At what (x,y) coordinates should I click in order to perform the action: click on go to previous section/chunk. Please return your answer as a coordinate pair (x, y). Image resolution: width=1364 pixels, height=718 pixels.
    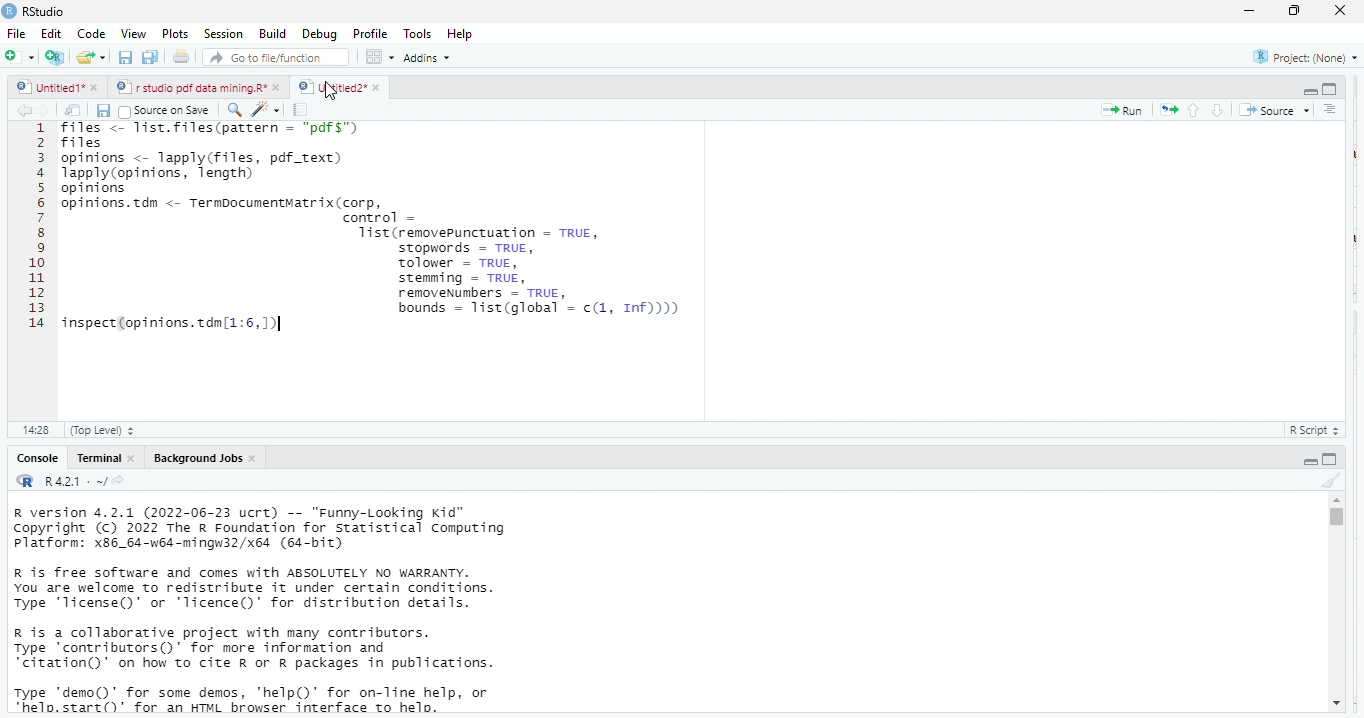
    Looking at the image, I should click on (1192, 110).